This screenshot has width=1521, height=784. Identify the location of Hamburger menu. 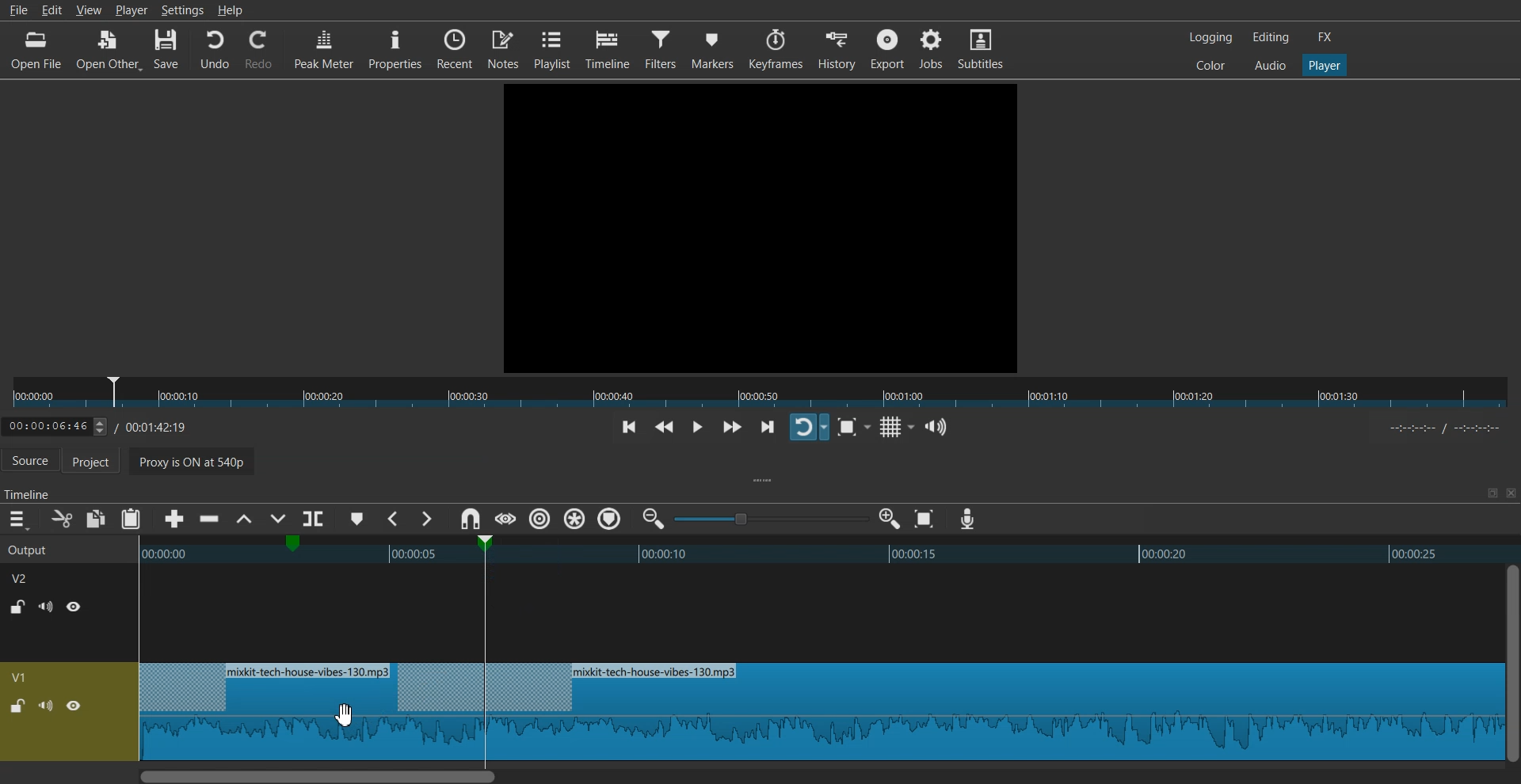
(17, 519).